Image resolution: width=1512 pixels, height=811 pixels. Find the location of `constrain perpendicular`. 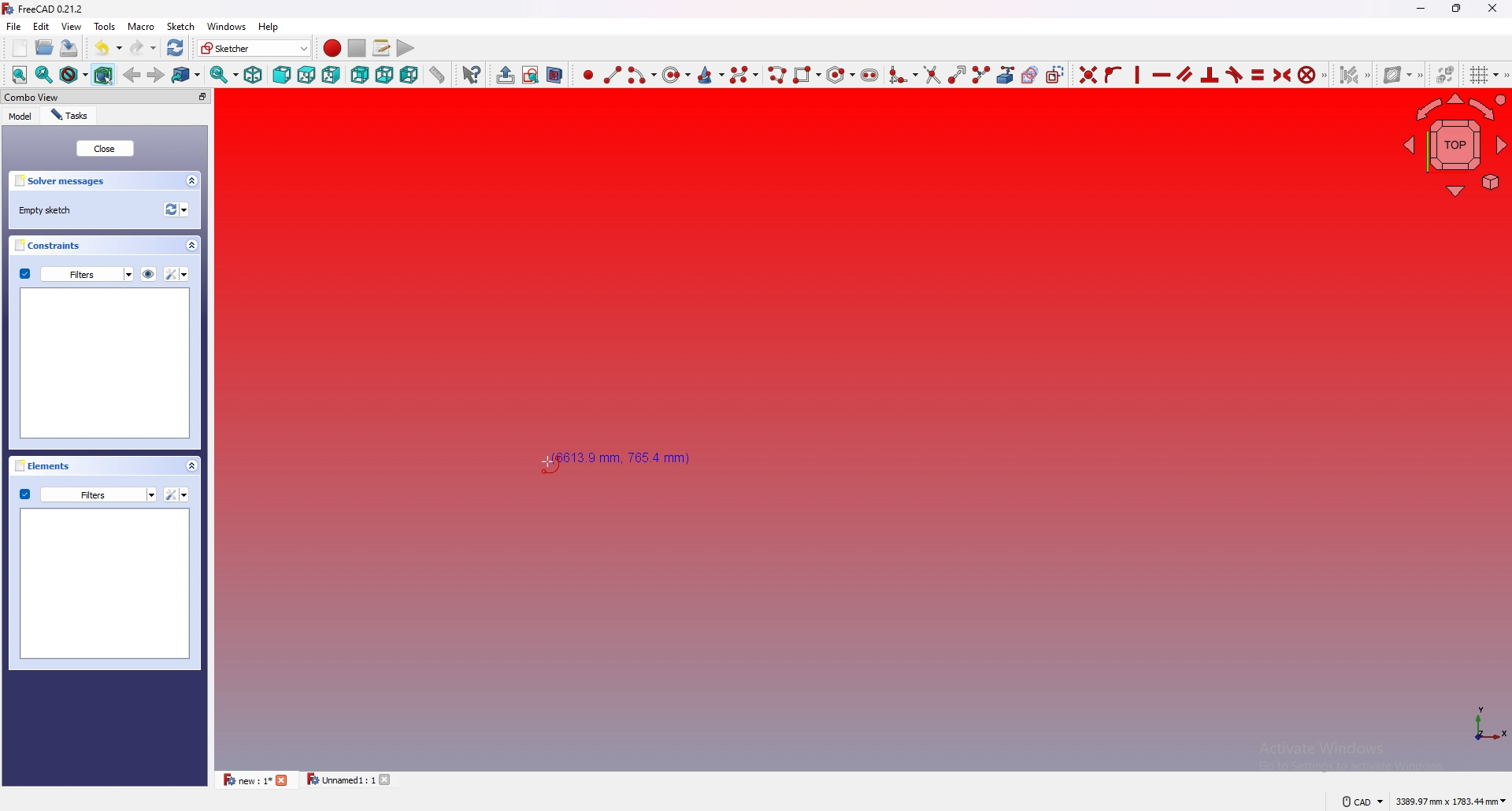

constrain perpendicular is located at coordinates (1210, 76).